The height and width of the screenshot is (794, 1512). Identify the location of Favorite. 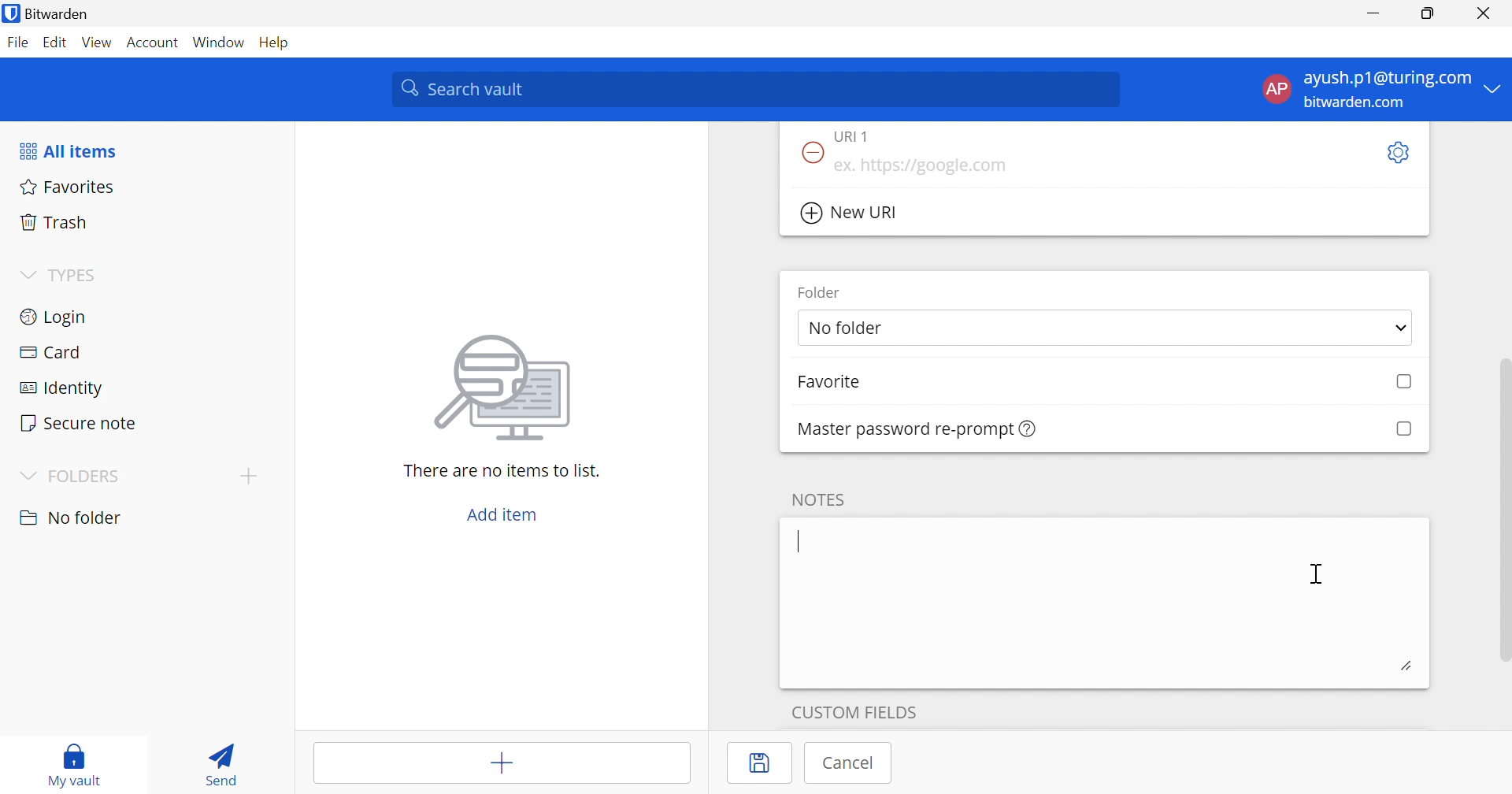
(828, 382).